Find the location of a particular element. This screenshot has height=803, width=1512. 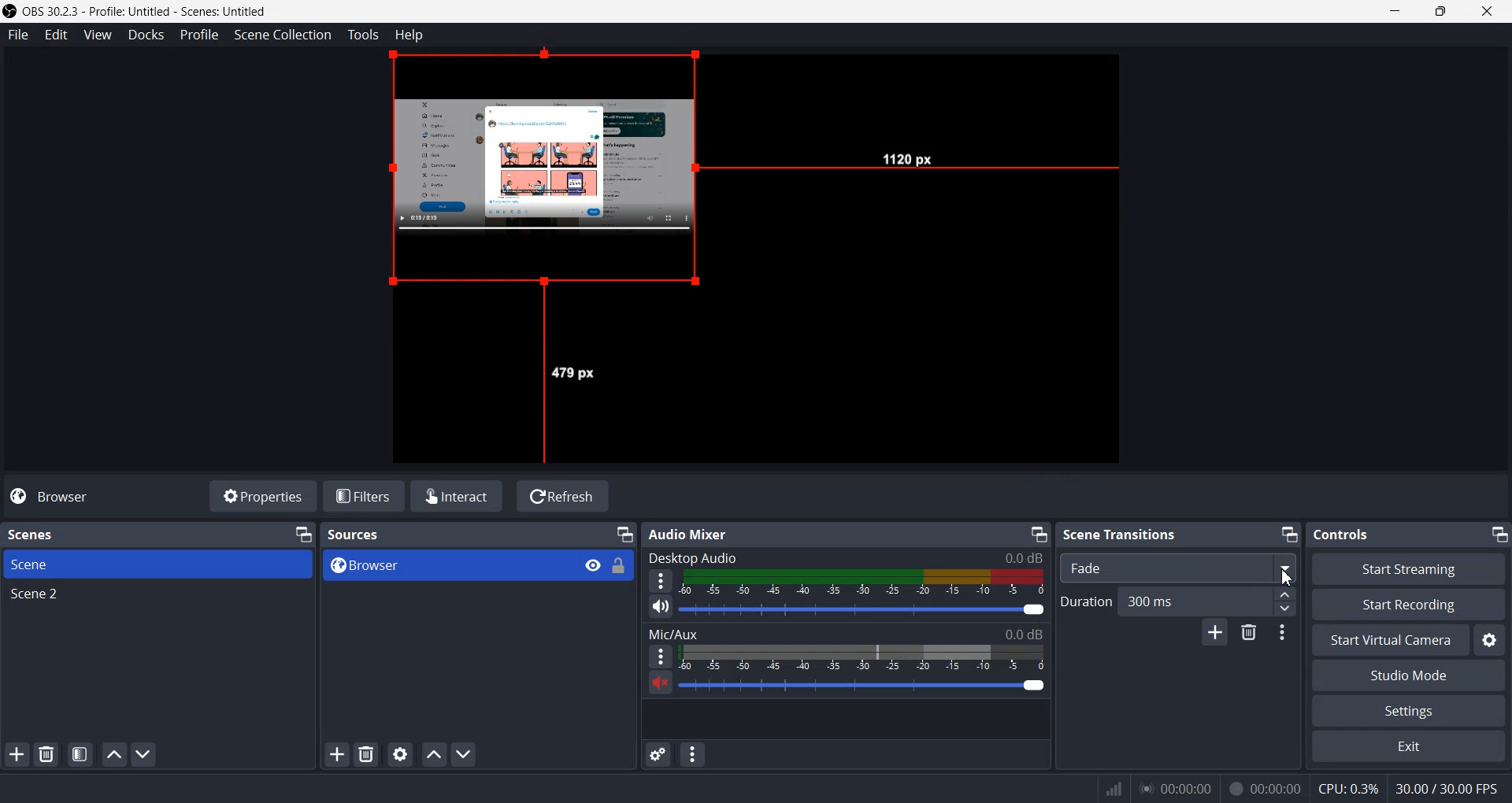

Scene Collection is located at coordinates (283, 35).